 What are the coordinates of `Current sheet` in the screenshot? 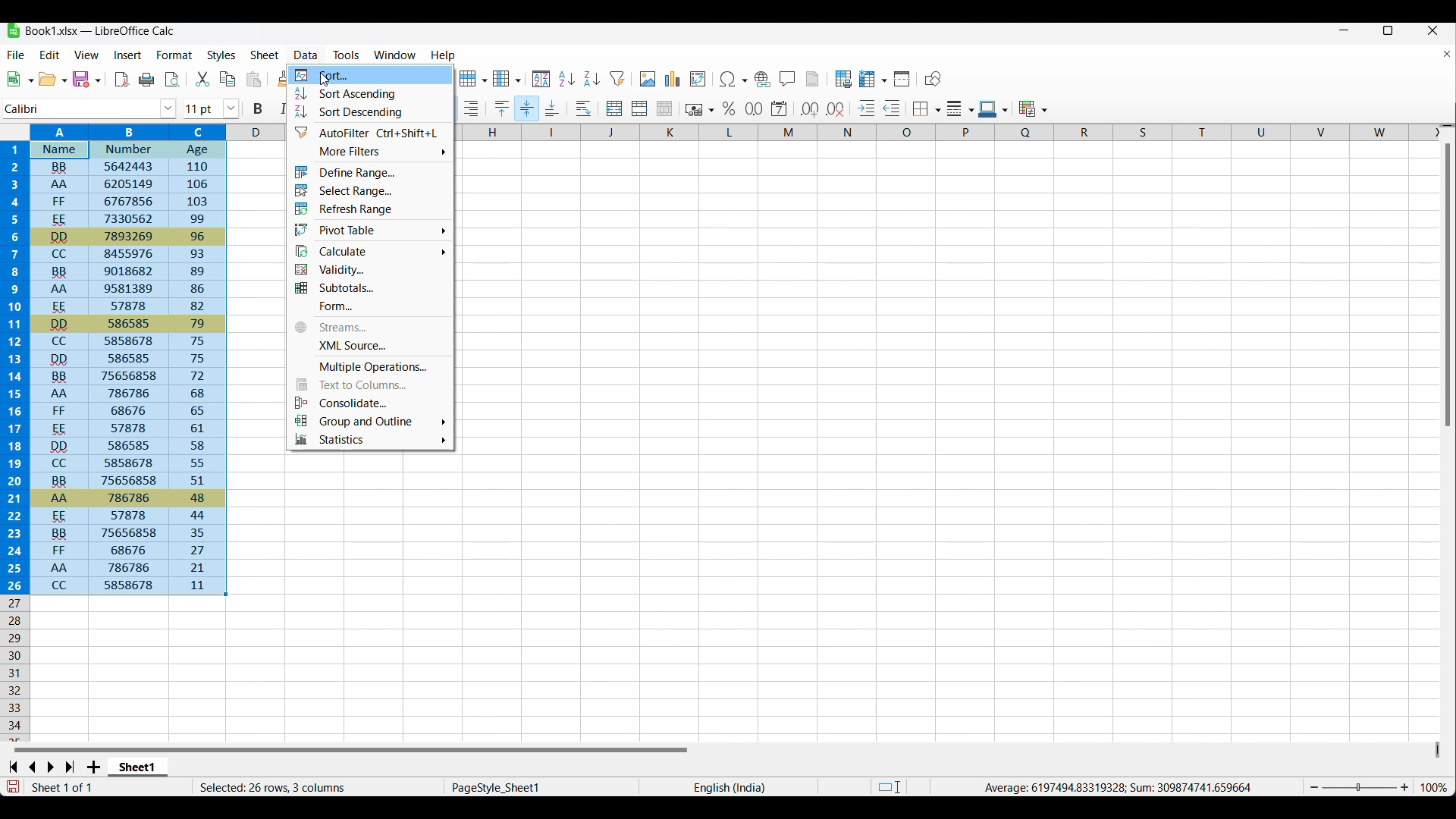 It's located at (138, 767).